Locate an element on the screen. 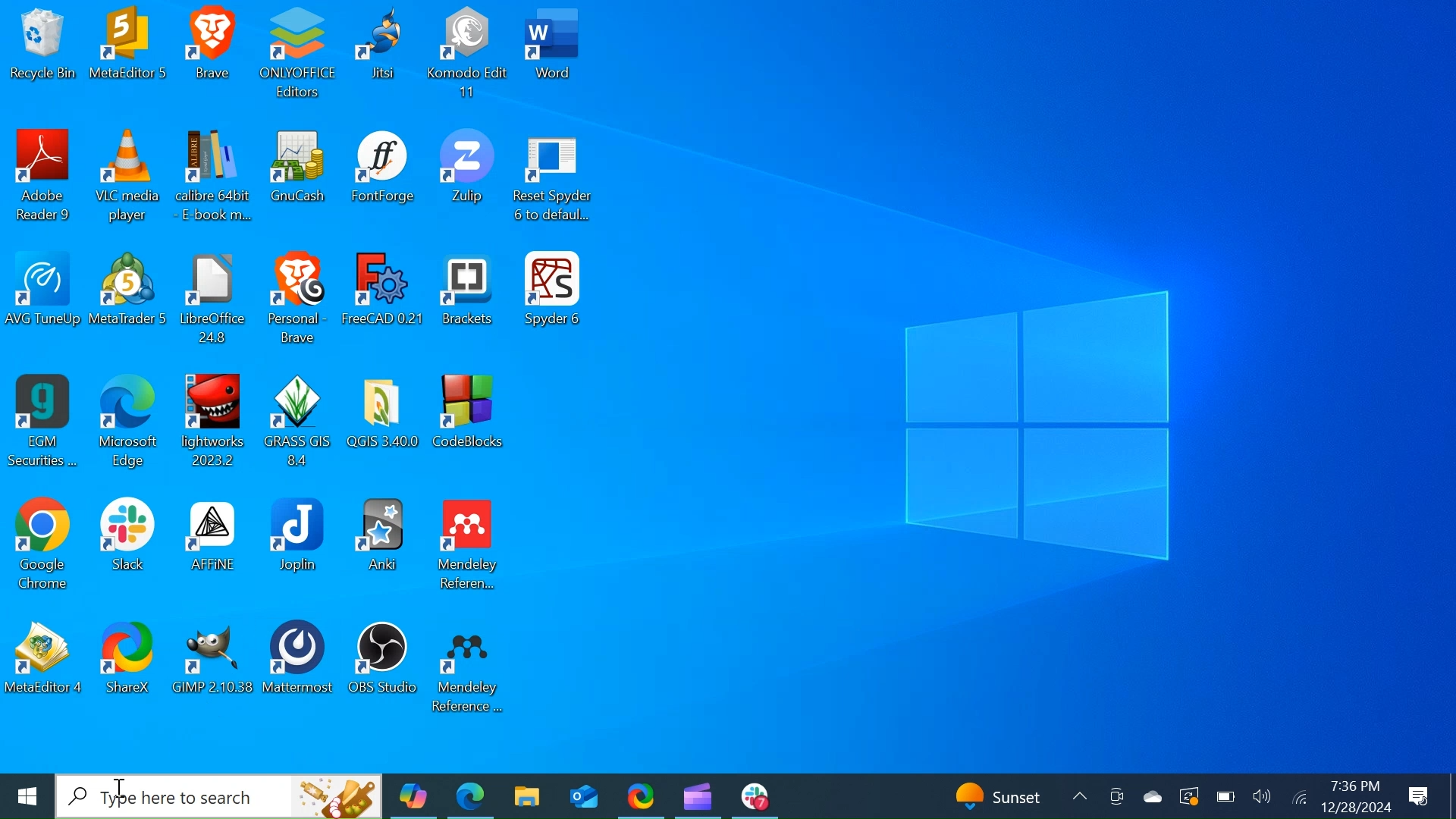  OneDrive is located at coordinates (1152, 796).